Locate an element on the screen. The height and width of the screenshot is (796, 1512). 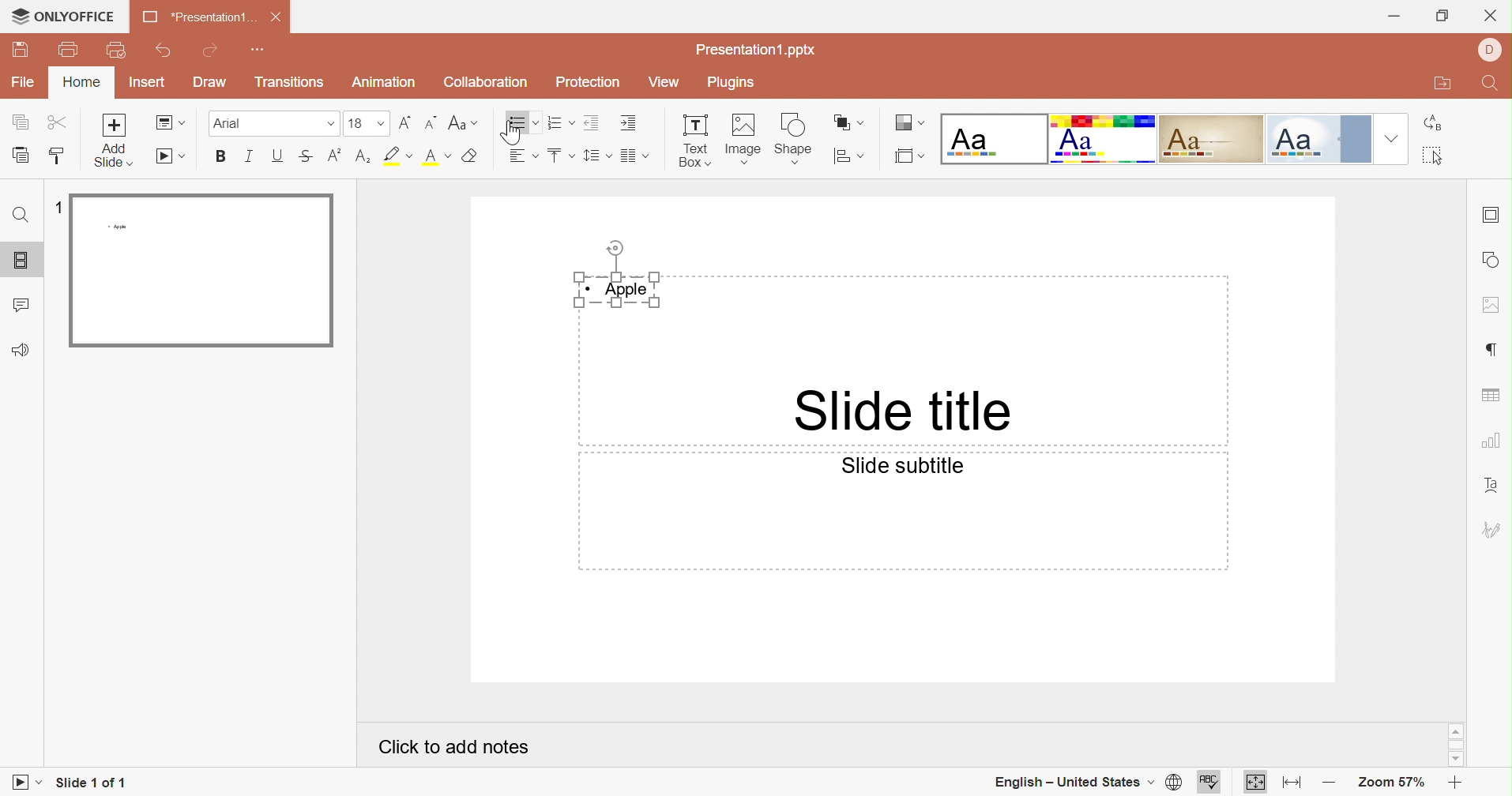
Animation is located at coordinates (389, 84).